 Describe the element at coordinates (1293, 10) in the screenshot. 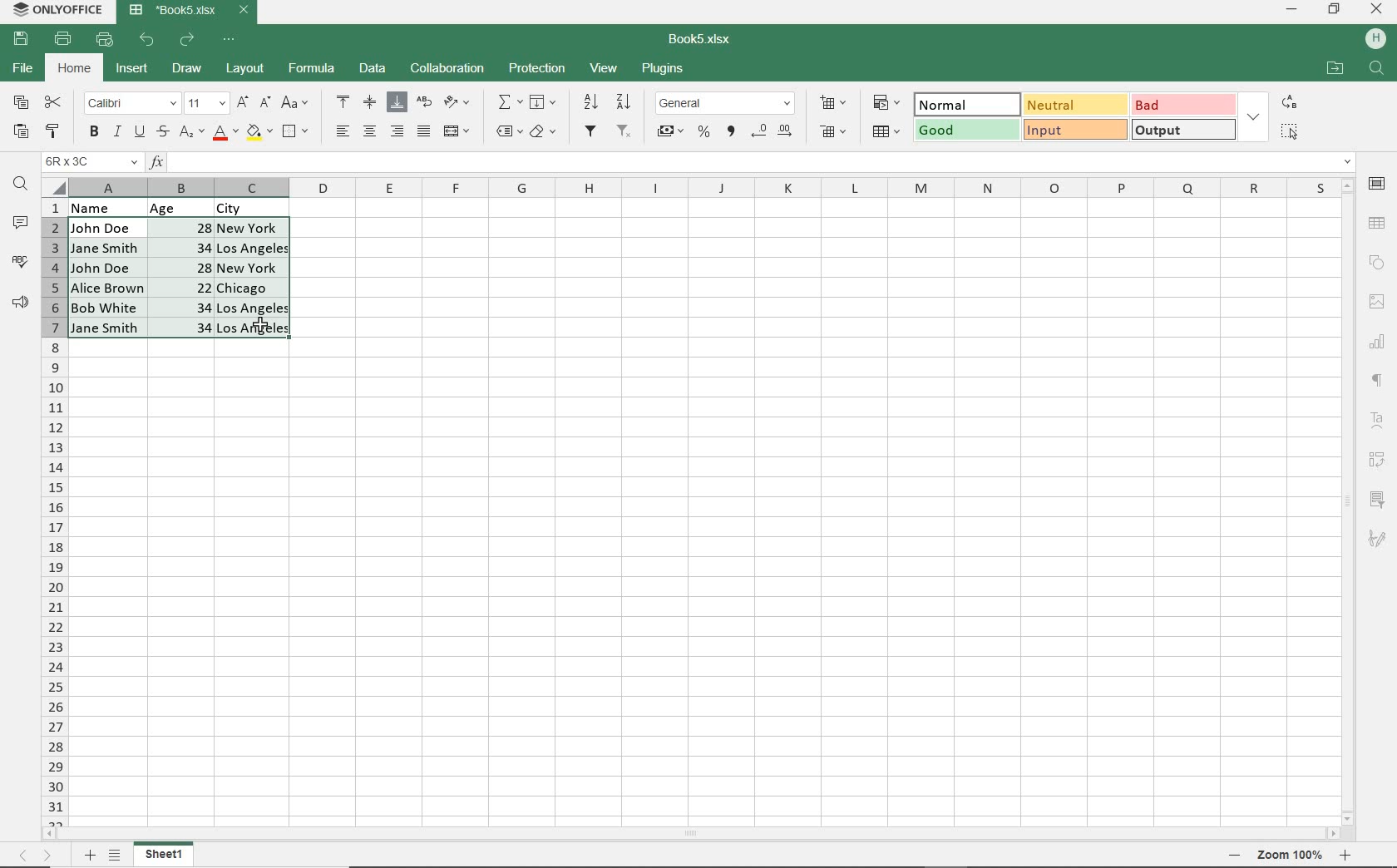

I see `MINIMIZE` at that location.